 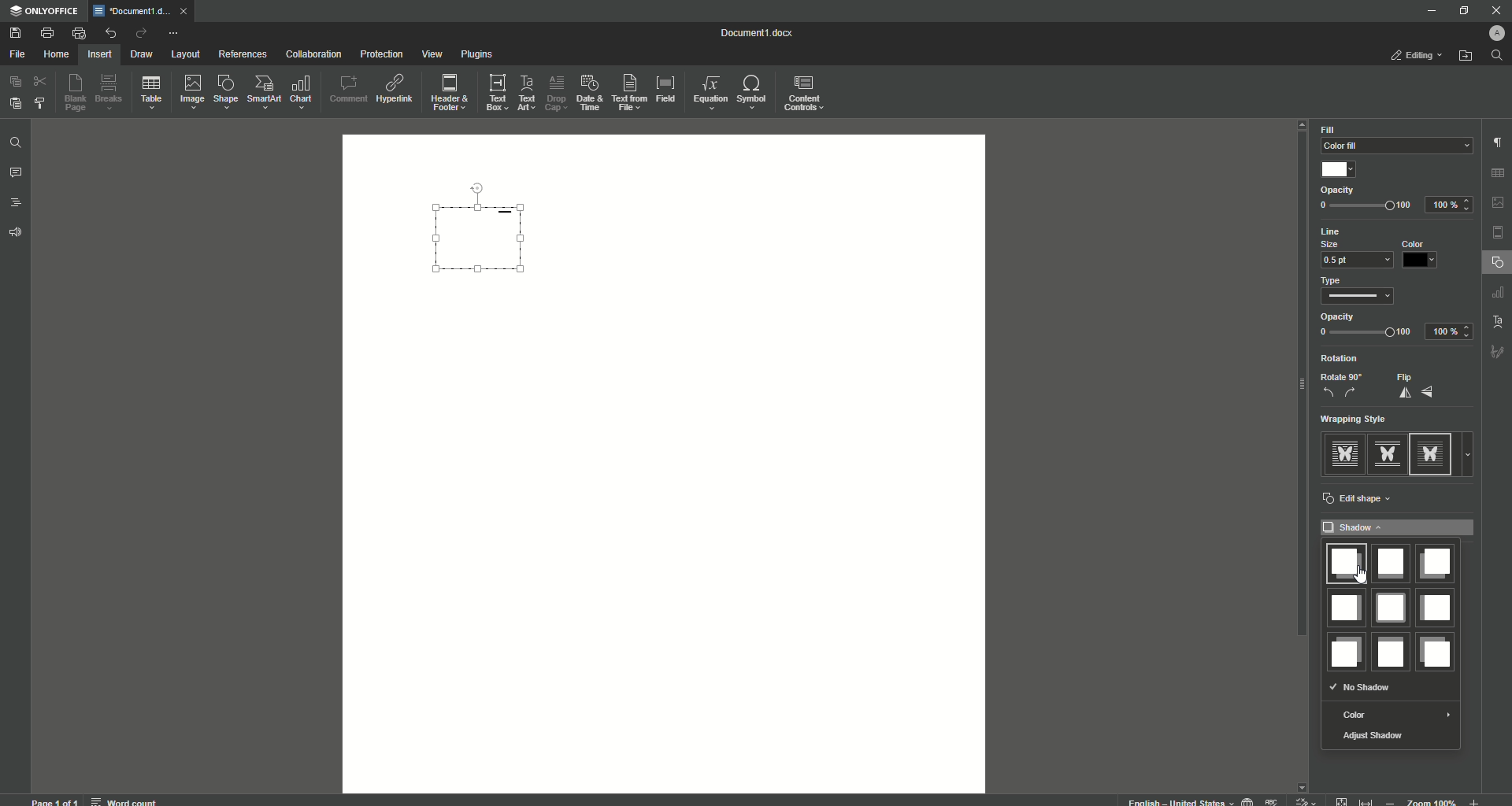 I want to click on Table, so click(x=151, y=95).